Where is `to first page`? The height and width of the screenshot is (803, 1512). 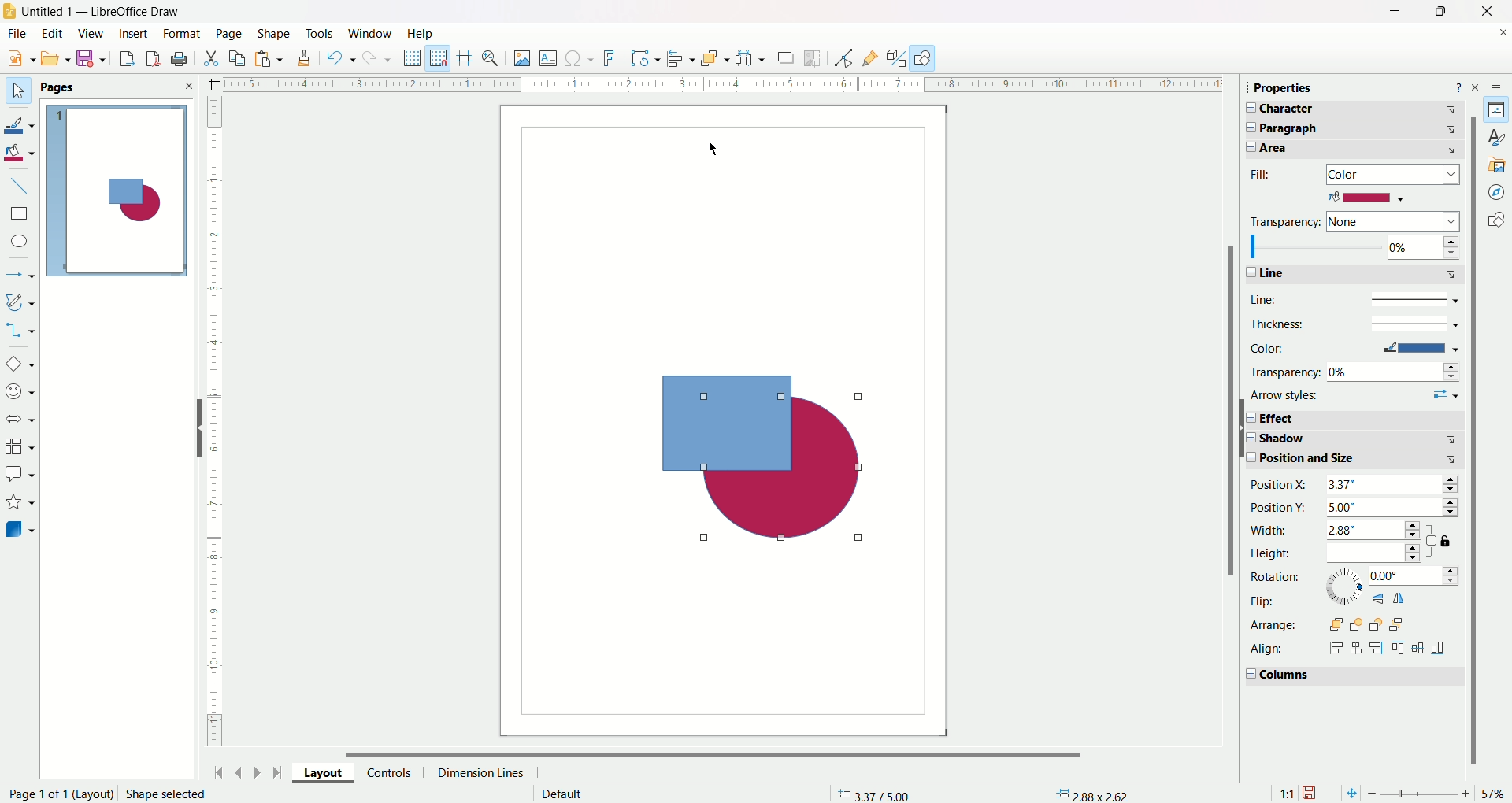 to first page is located at coordinates (217, 772).